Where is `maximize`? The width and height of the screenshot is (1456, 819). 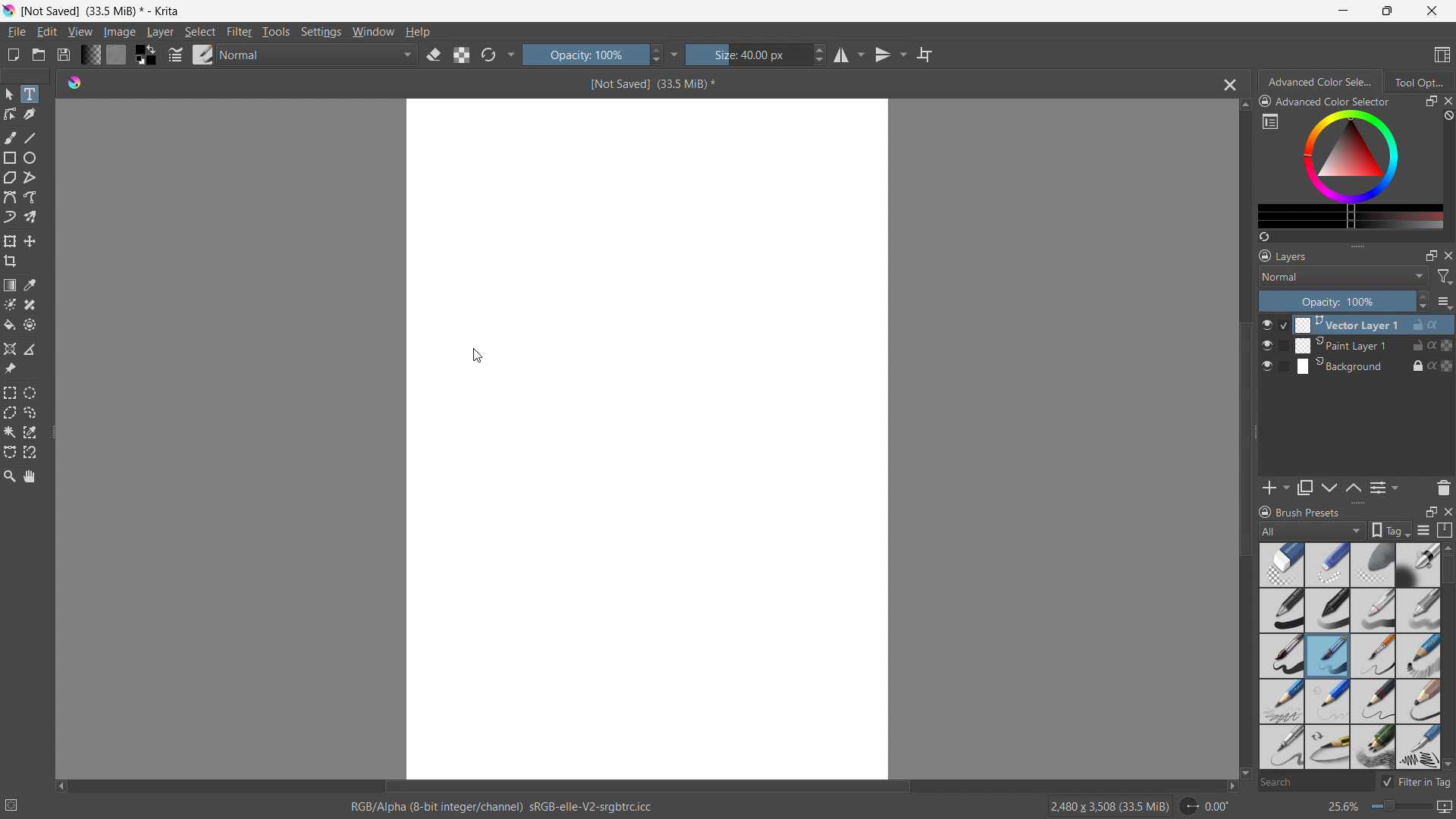 maximize is located at coordinates (1385, 11).